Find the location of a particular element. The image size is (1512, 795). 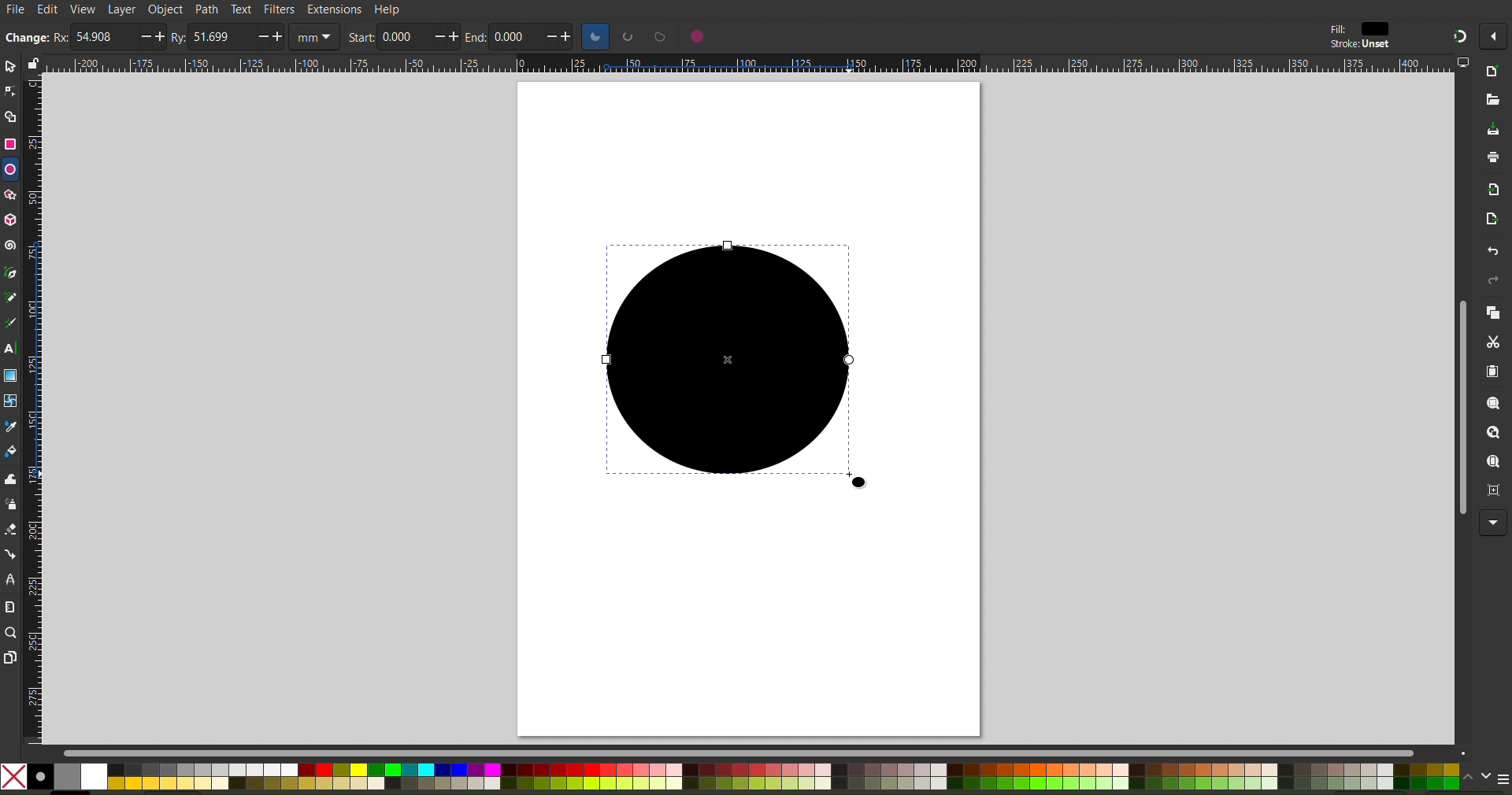

Zoom Page is located at coordinates (1492, 462).